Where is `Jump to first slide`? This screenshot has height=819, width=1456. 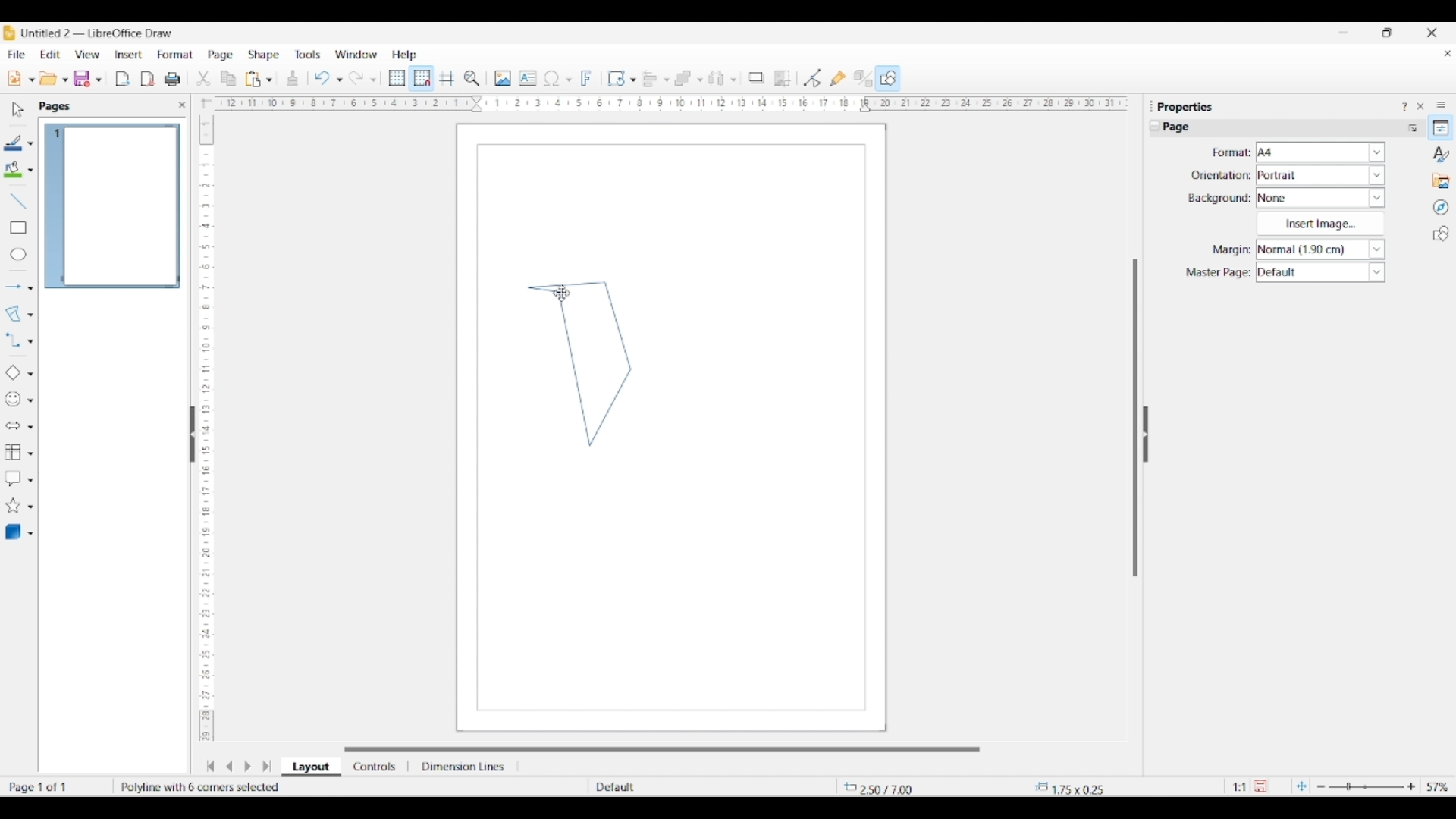
Jump to first slide is located at coordinates (210, 766).